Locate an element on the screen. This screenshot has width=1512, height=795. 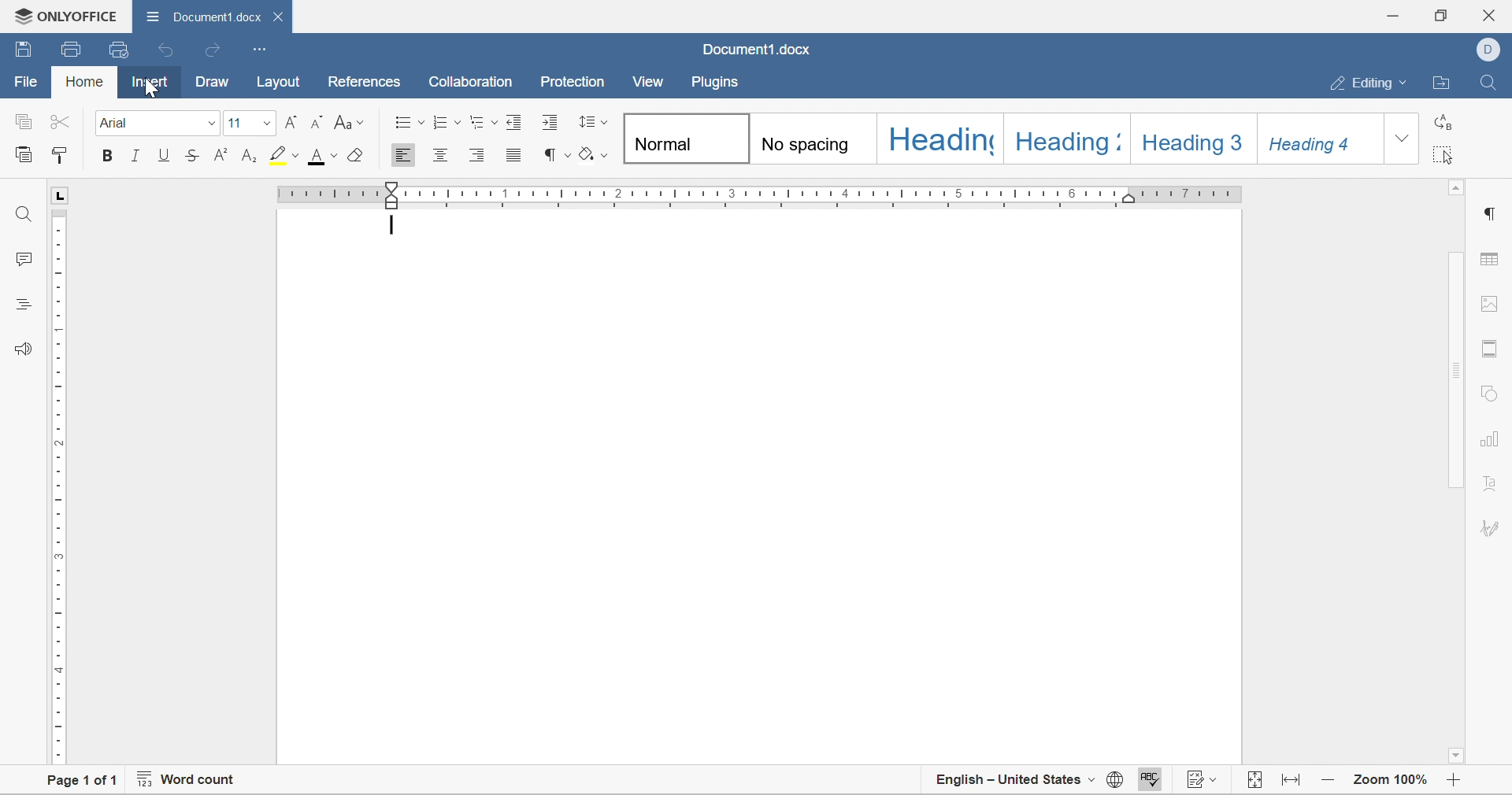
Open file location is located at coordinates (1445, 83).